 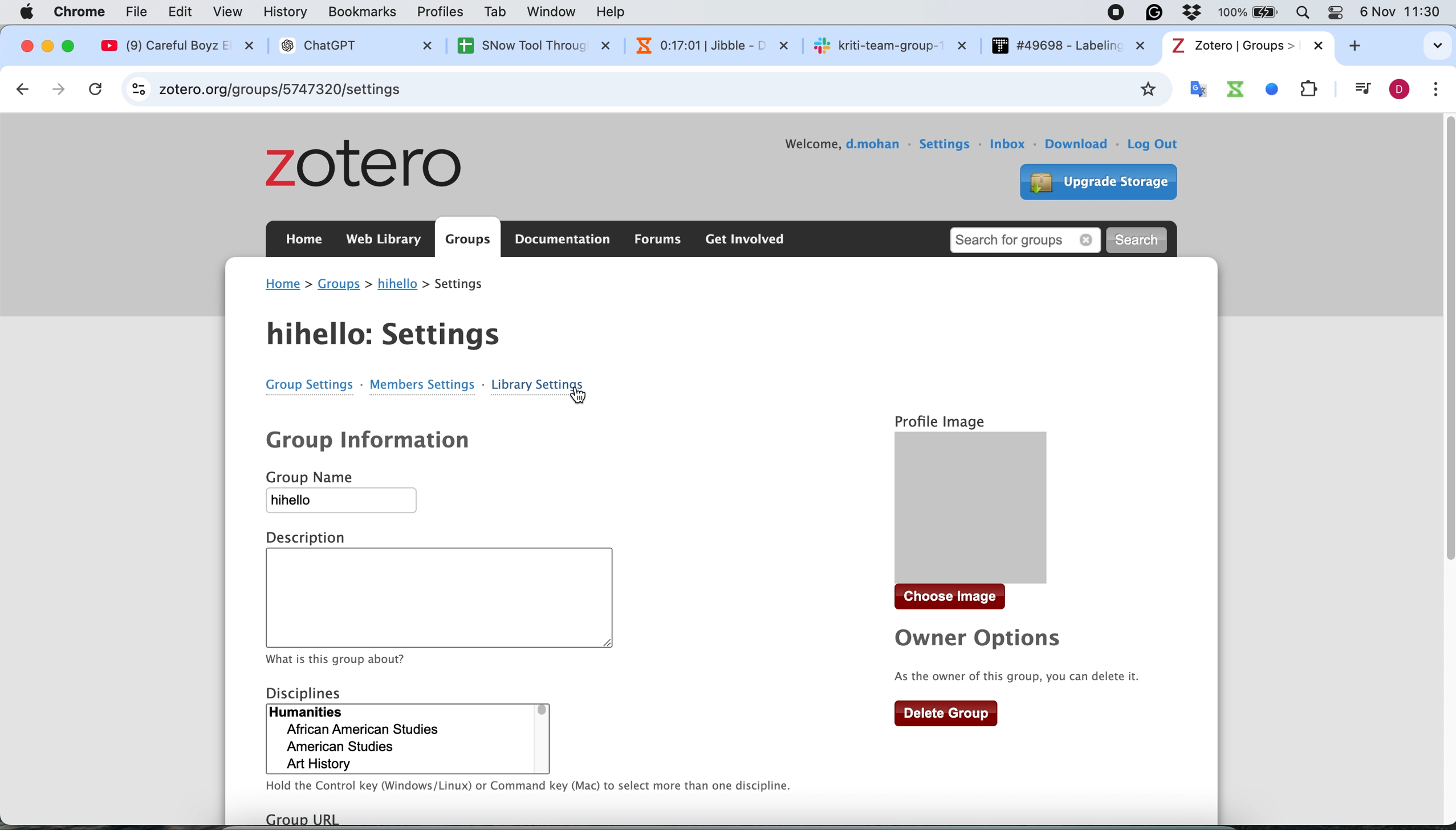 I want to click on hihello, so click(x=351, y=504).